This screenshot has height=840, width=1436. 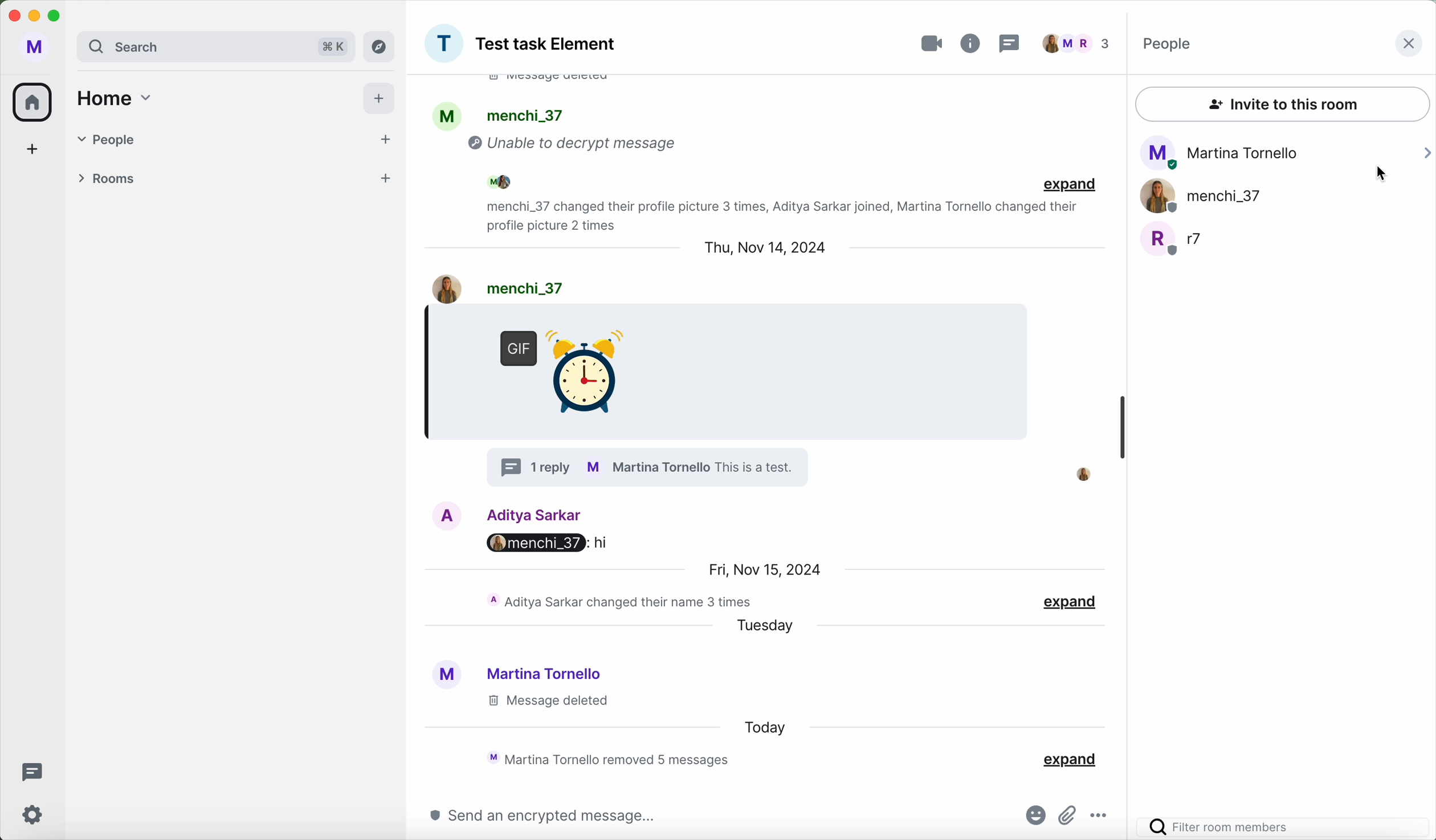 What do you see at coordinates (531, 467) in the screenshot?
I see `1 reply in thread` at bounding box center [531, 467].